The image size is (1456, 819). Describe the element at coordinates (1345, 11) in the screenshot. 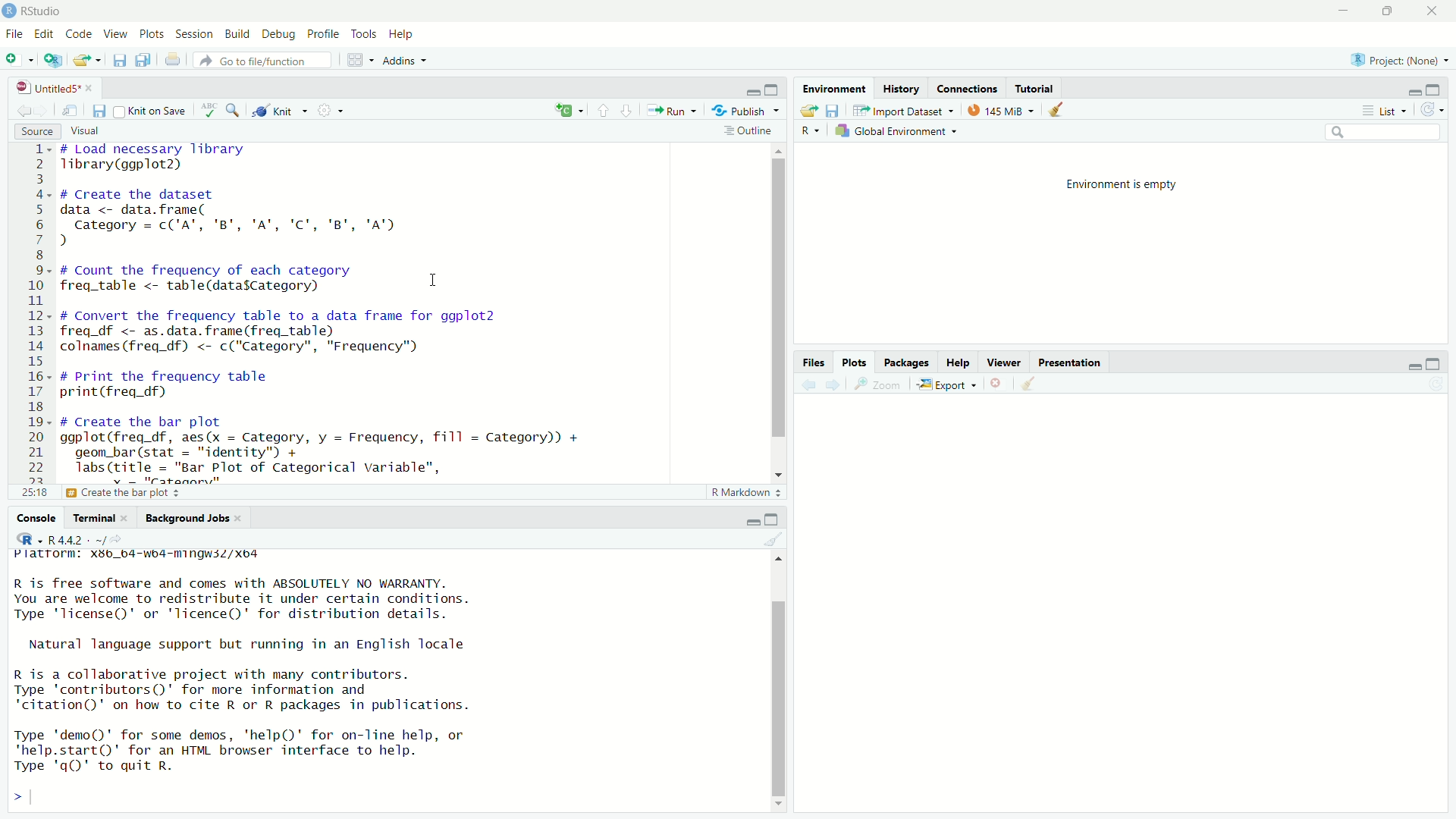

I see `minimize` at that location.